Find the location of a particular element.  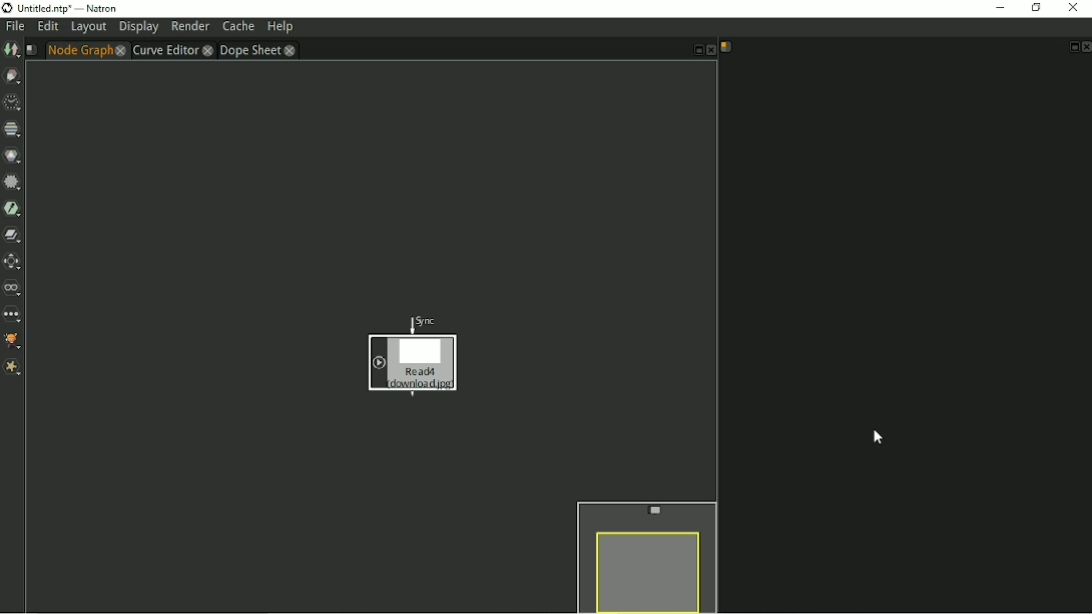

Float pane is located at coordinates (1072, 47).